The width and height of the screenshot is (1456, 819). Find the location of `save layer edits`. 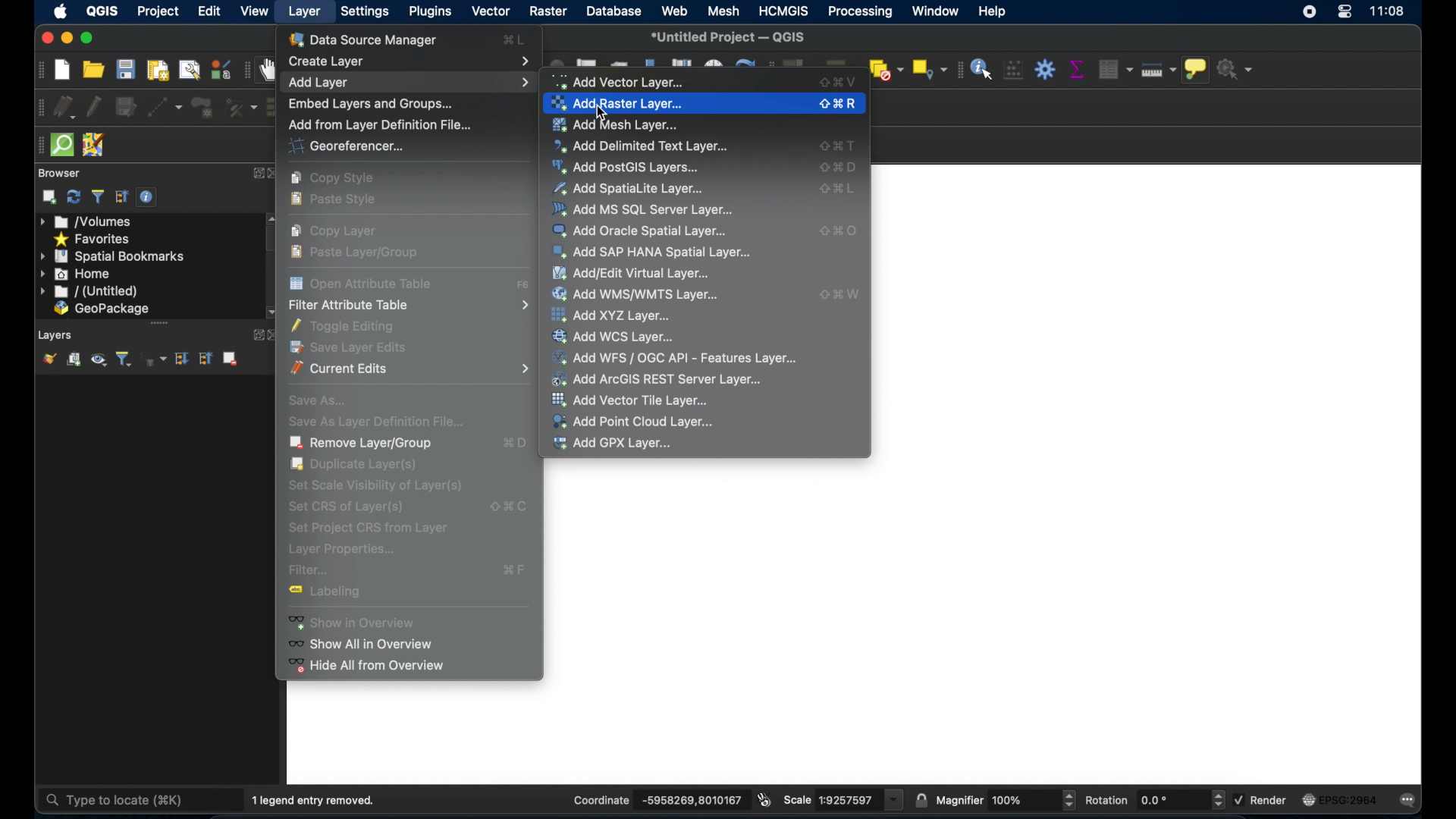

save layer edits is located at coordinates (354, 347).